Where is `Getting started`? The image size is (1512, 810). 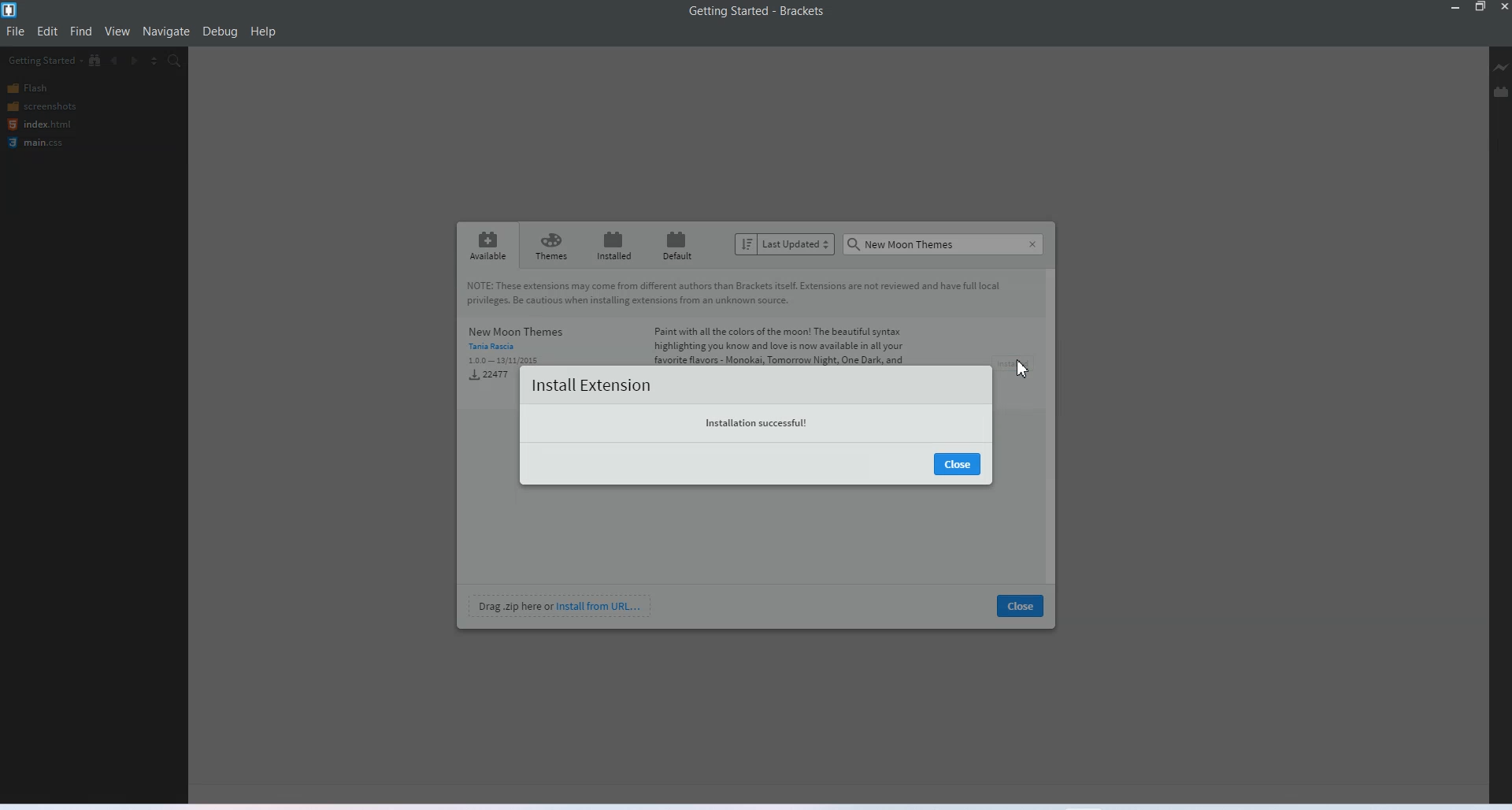 Getting started is located at coordinates (43, 60).